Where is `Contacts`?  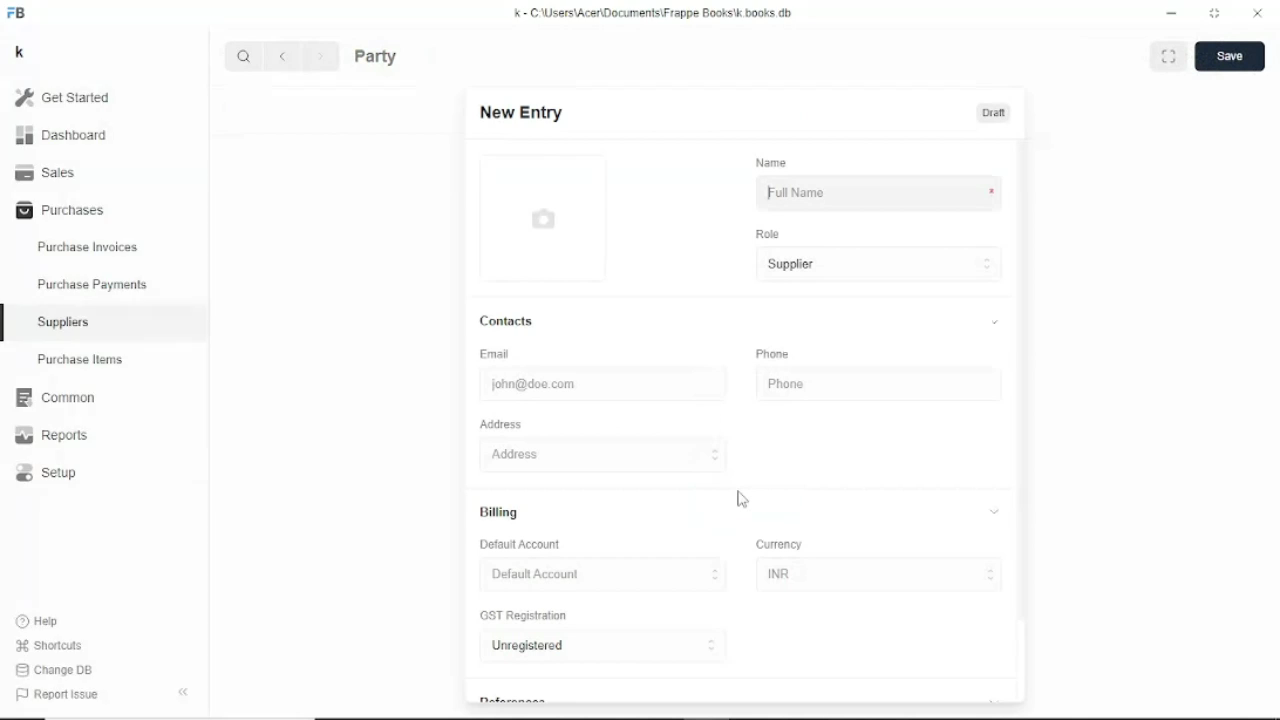
Contacts is located at coordinates (742, 321).